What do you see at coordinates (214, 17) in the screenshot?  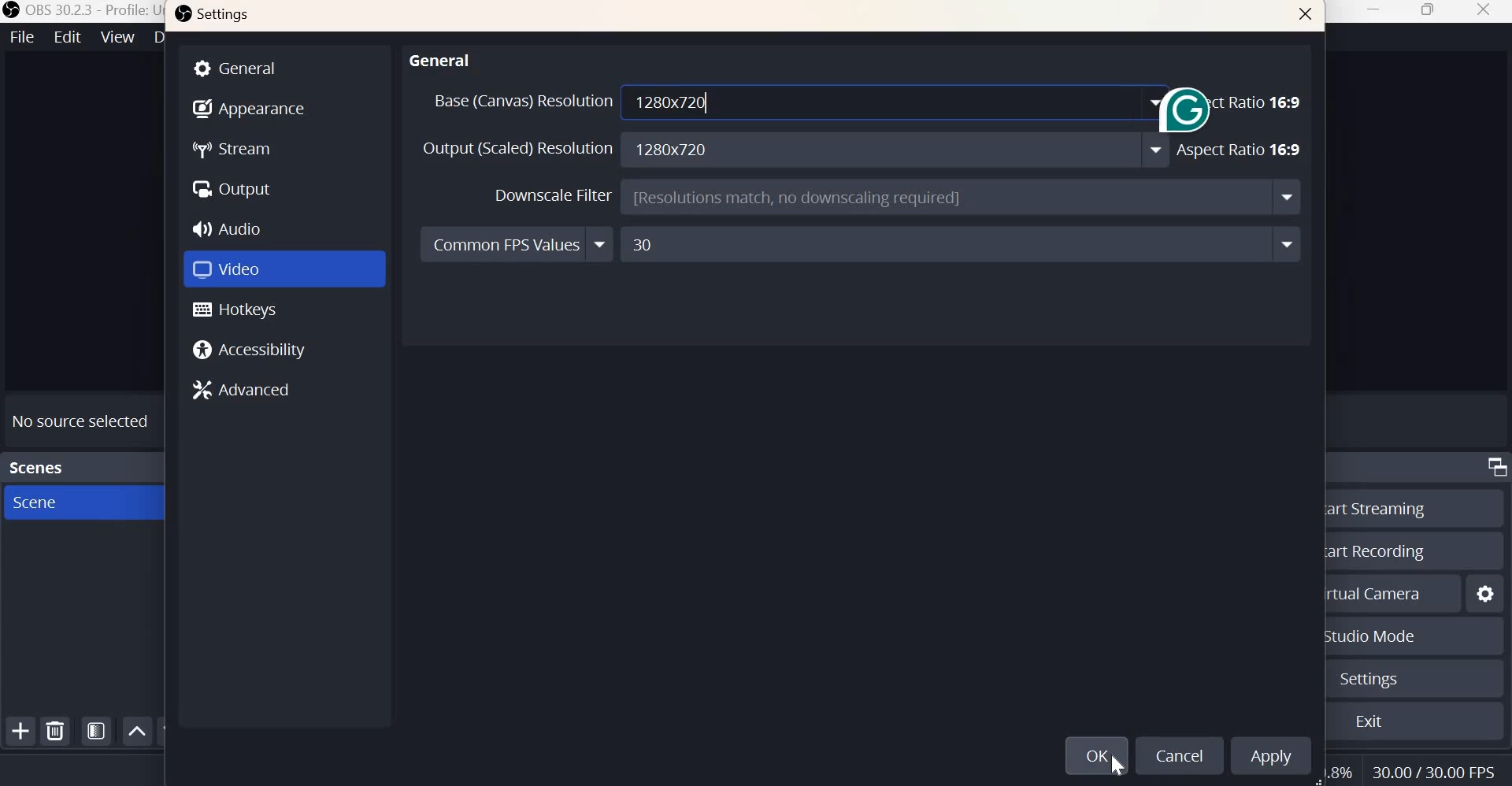 I see `Settings` at bounding box center [214, 17].